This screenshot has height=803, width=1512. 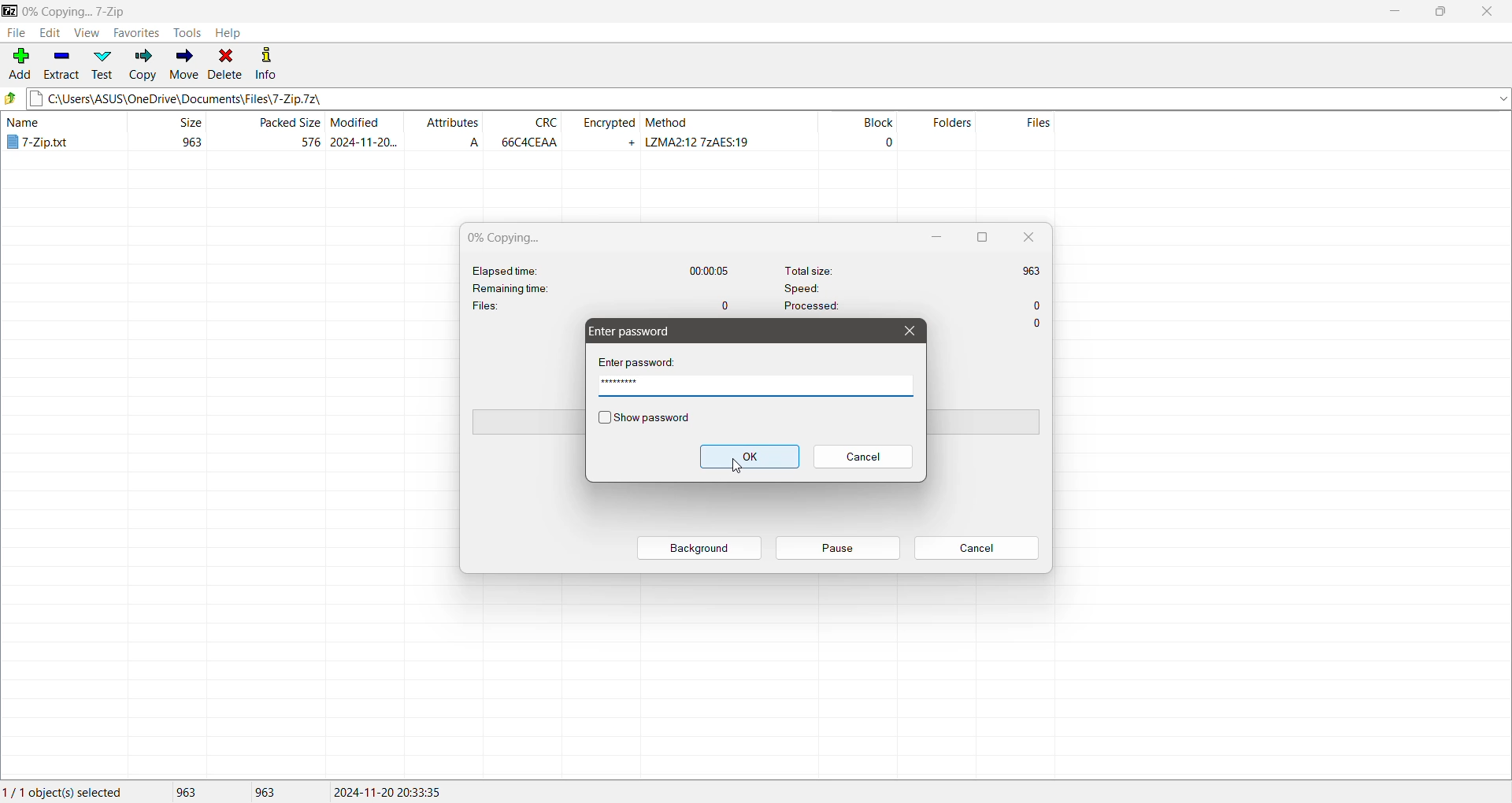 I want to click on Move Up one level, so click(x=11, y=98).